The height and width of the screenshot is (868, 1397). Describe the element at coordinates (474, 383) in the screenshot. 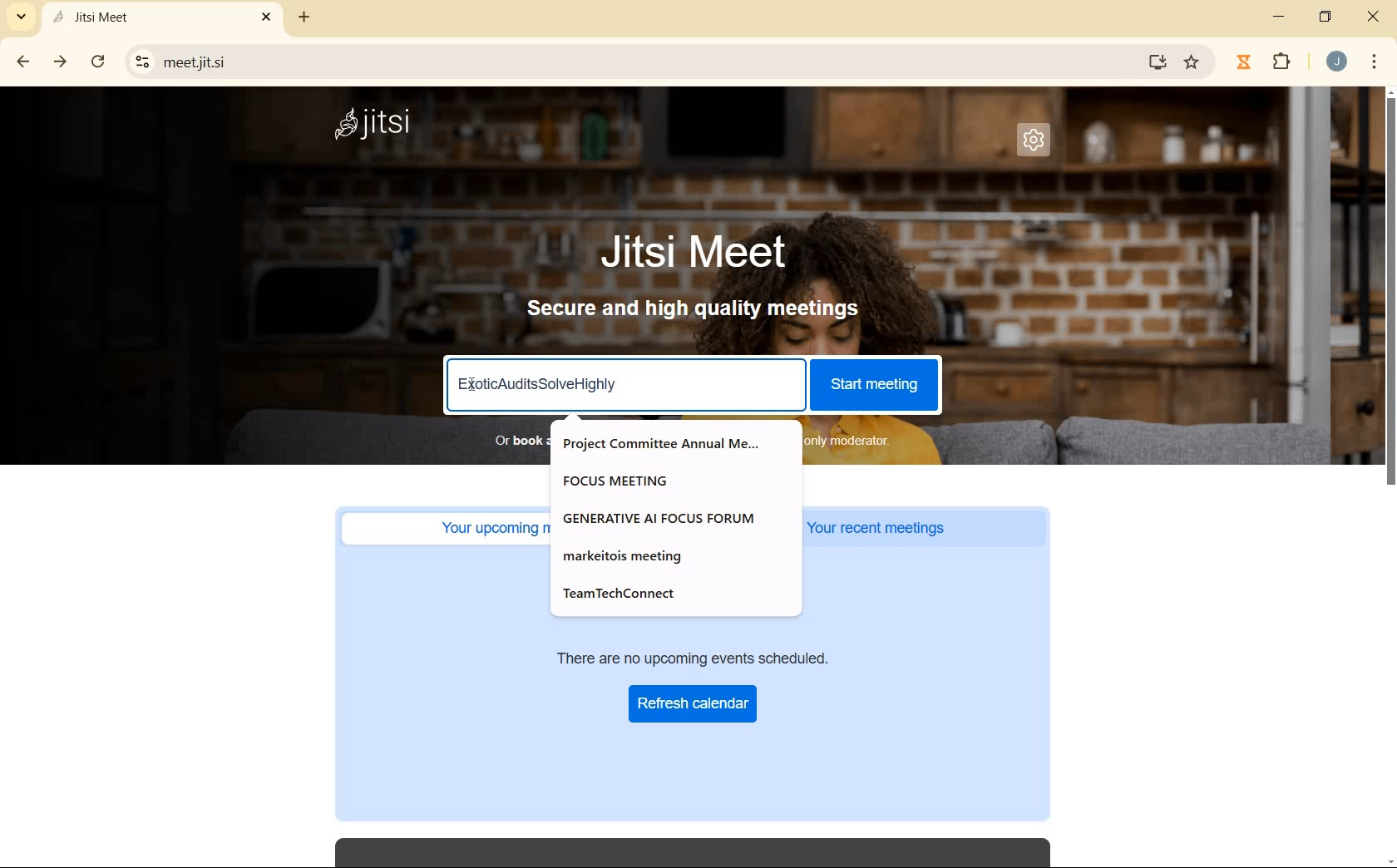

I see `cursor` at that location.